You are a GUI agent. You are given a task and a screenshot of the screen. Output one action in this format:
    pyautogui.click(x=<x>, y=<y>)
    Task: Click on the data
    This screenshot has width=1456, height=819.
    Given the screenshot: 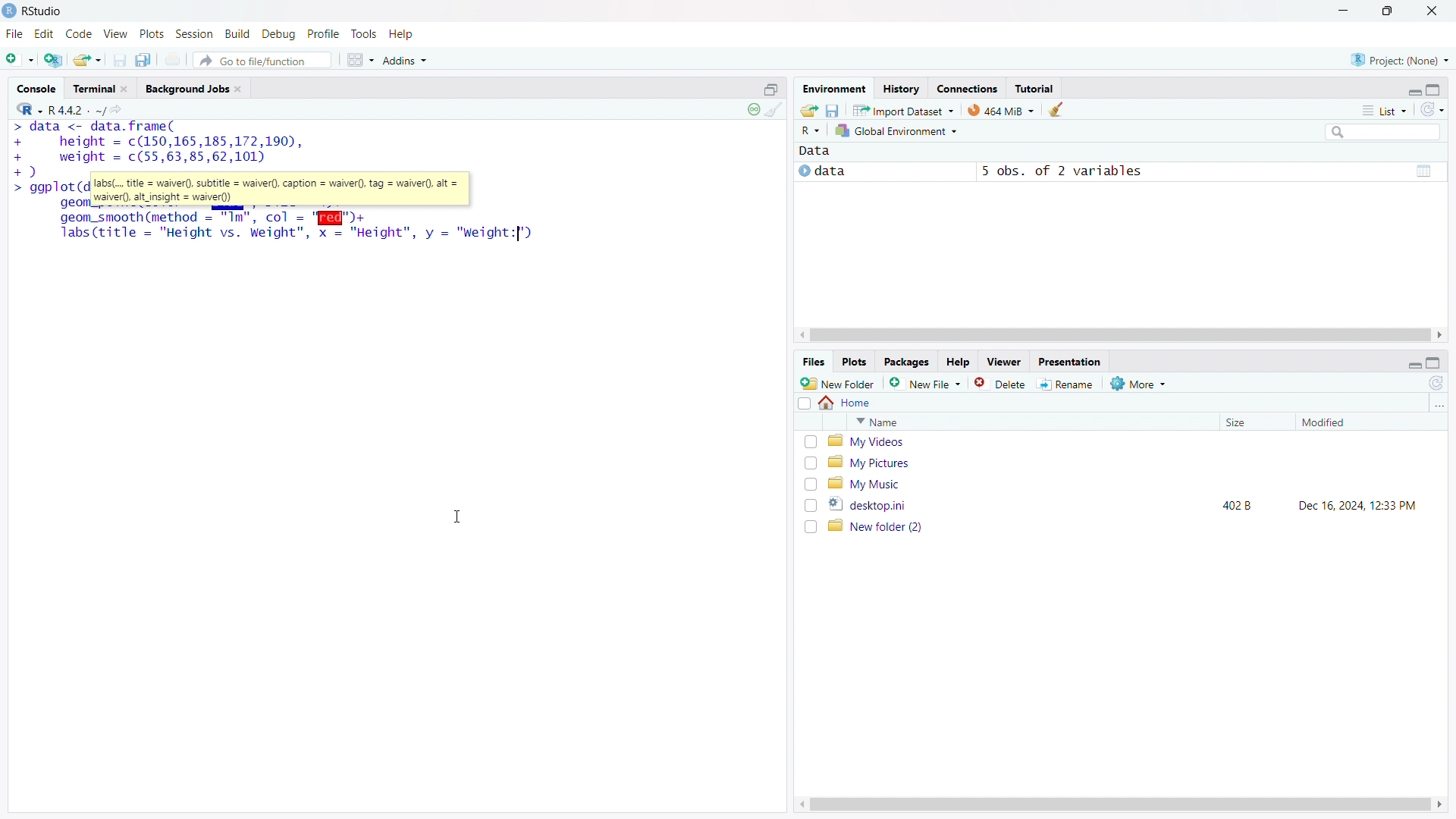 What is the action you would take?
    pyautogui.click(x=814, y=152)
    